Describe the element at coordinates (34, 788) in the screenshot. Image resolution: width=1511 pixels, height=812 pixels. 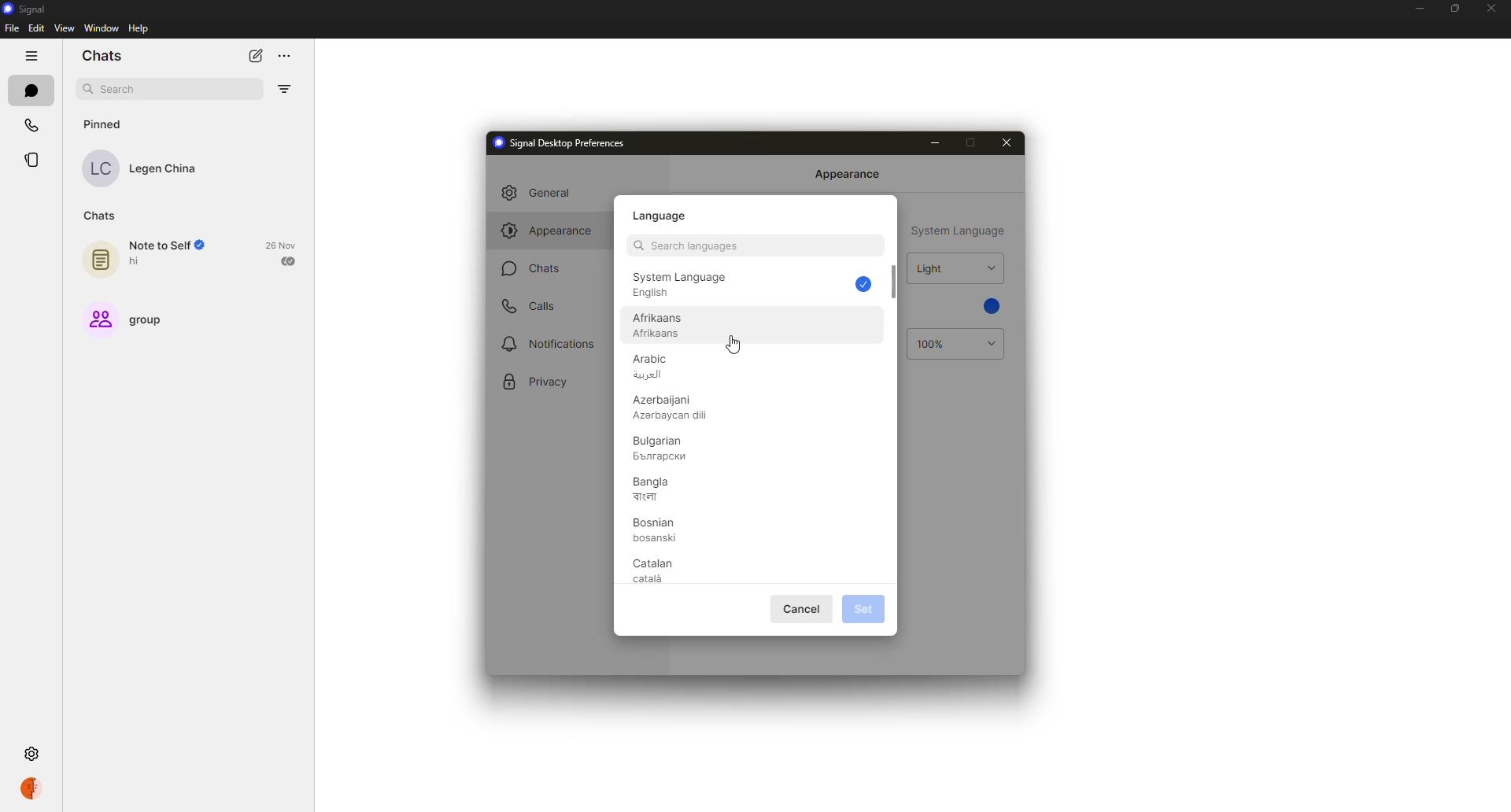
I see `profile` at that location.